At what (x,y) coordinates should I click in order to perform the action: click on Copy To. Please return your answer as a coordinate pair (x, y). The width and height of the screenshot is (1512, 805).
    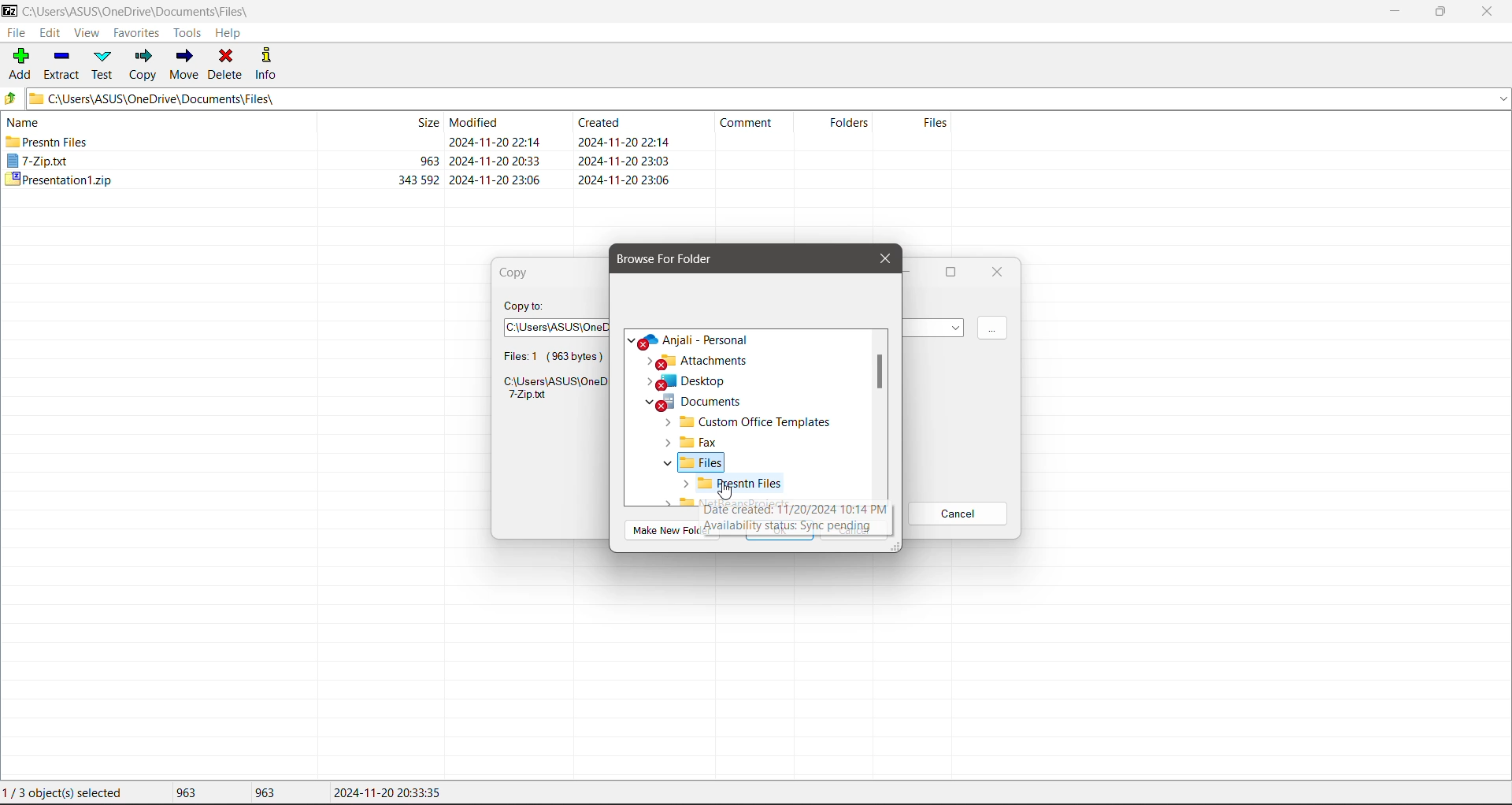
    Looking at the image, I should click on (525, 306).